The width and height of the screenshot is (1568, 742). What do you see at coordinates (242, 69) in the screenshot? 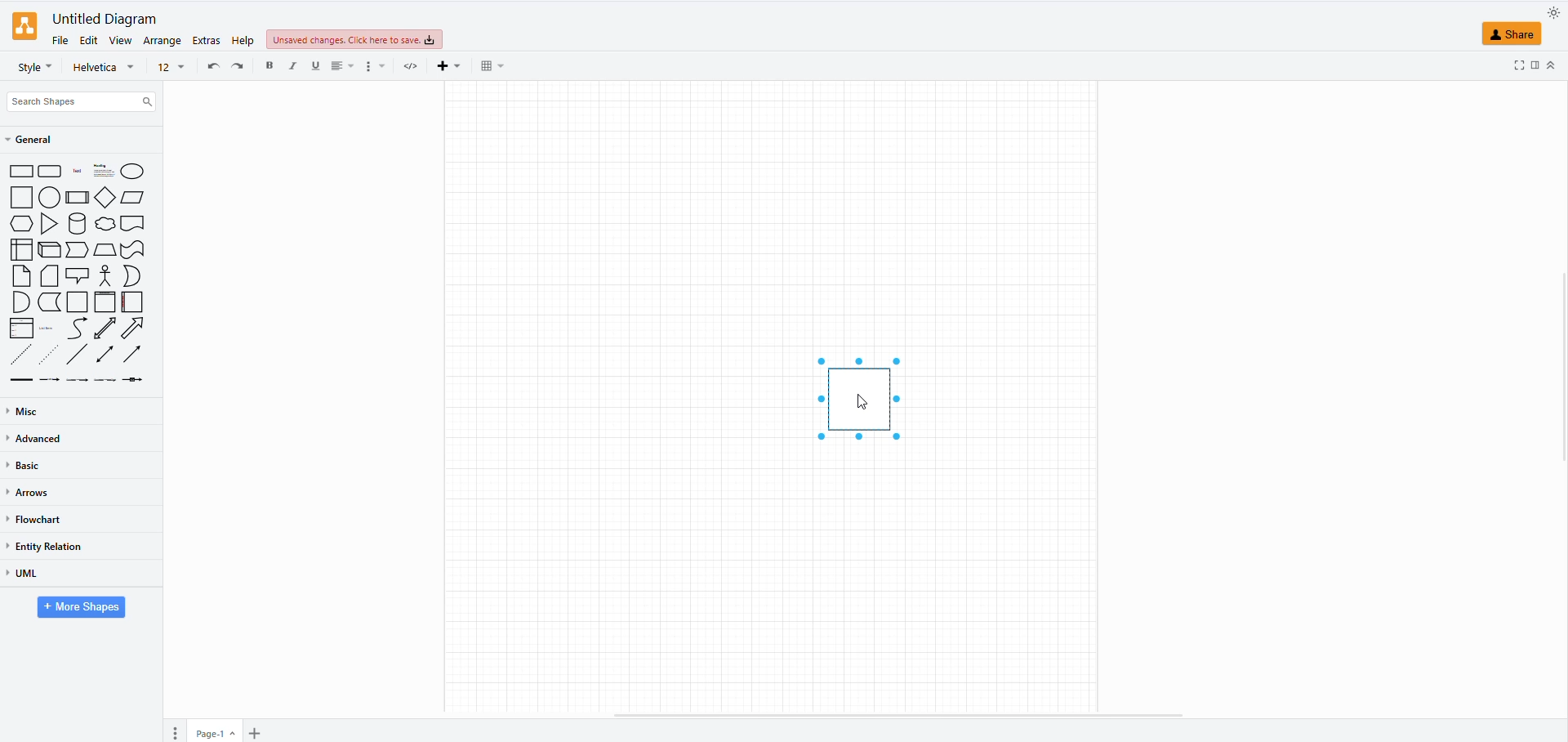
I see `redo` at bounding box center [242, 69].